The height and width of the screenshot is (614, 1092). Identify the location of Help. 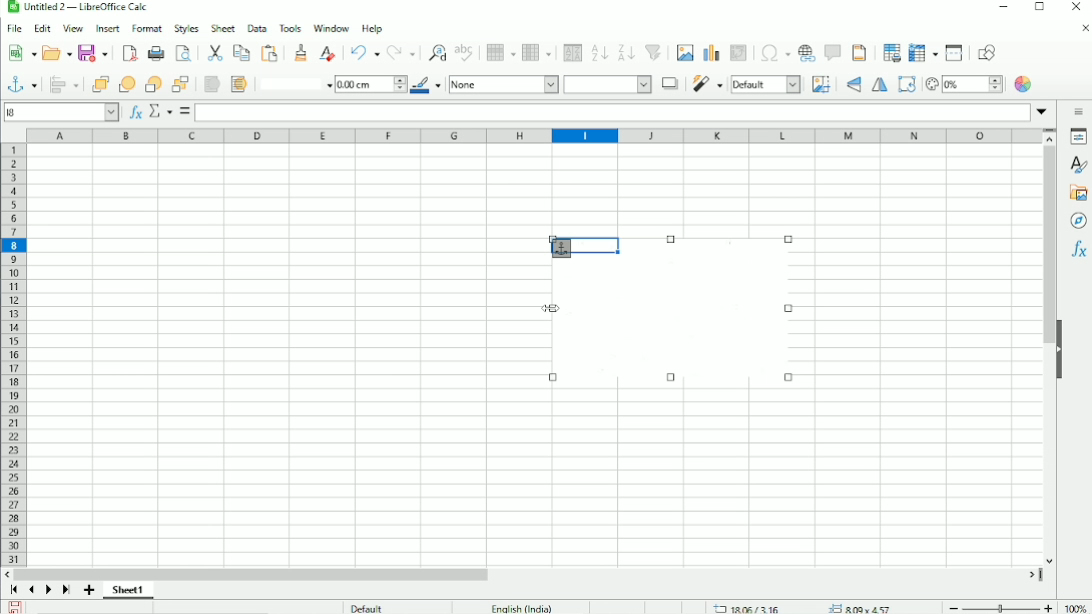
(372, 28).